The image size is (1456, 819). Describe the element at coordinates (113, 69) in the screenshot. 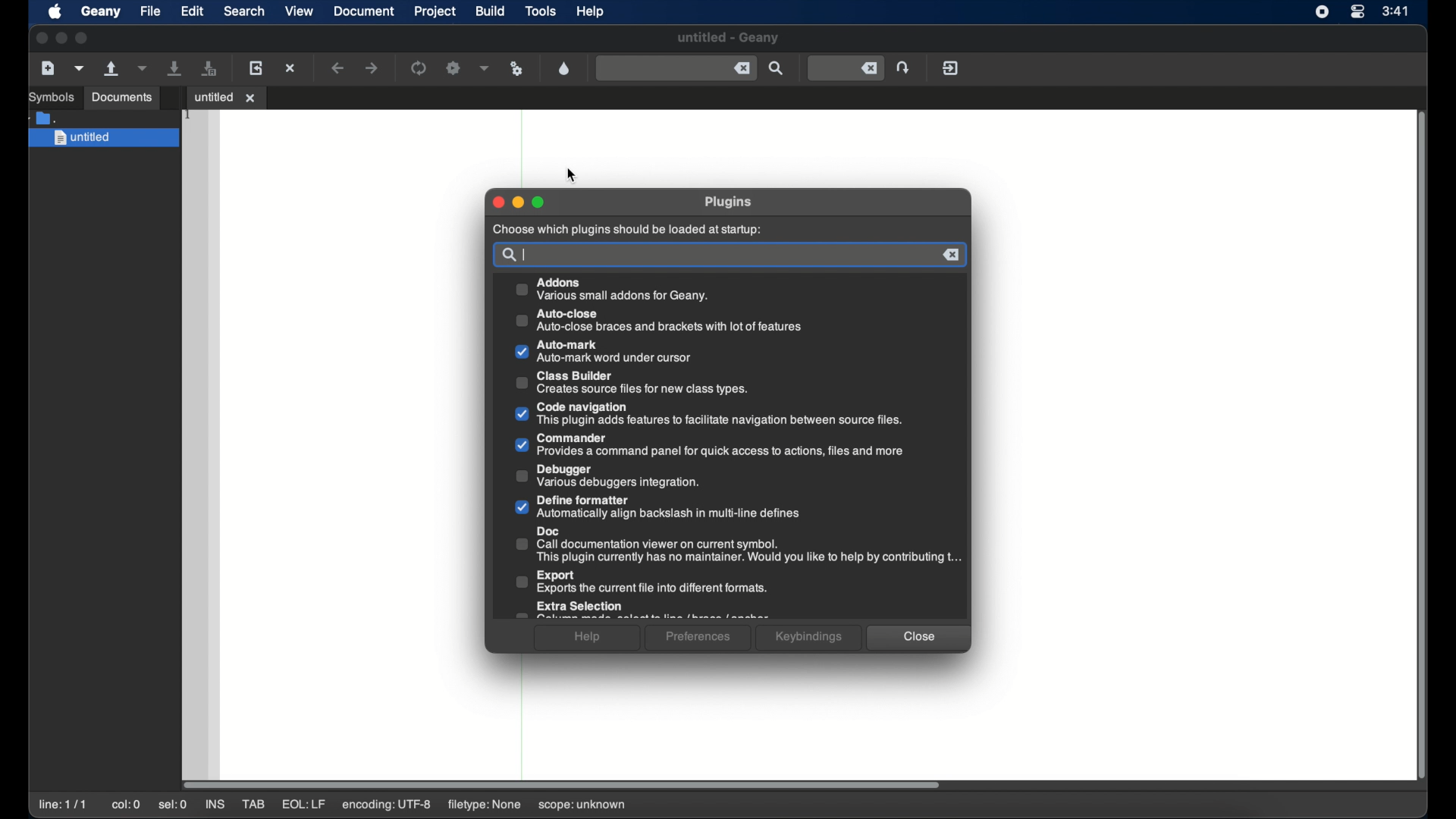

I see `open an existing file` at that location.